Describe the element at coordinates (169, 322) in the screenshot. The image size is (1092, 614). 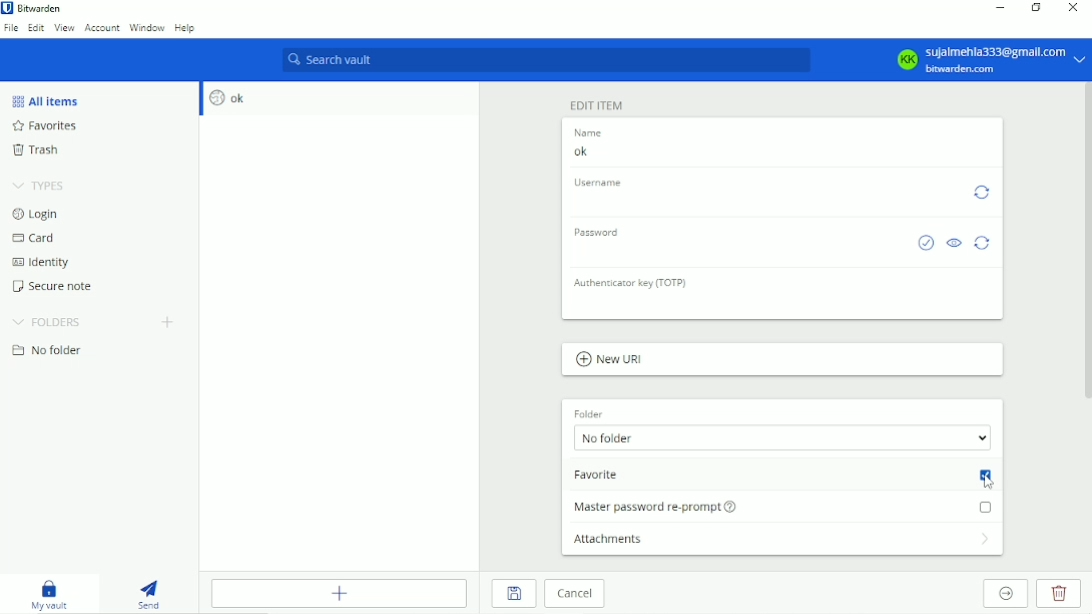
I see `Create folder` at that location.